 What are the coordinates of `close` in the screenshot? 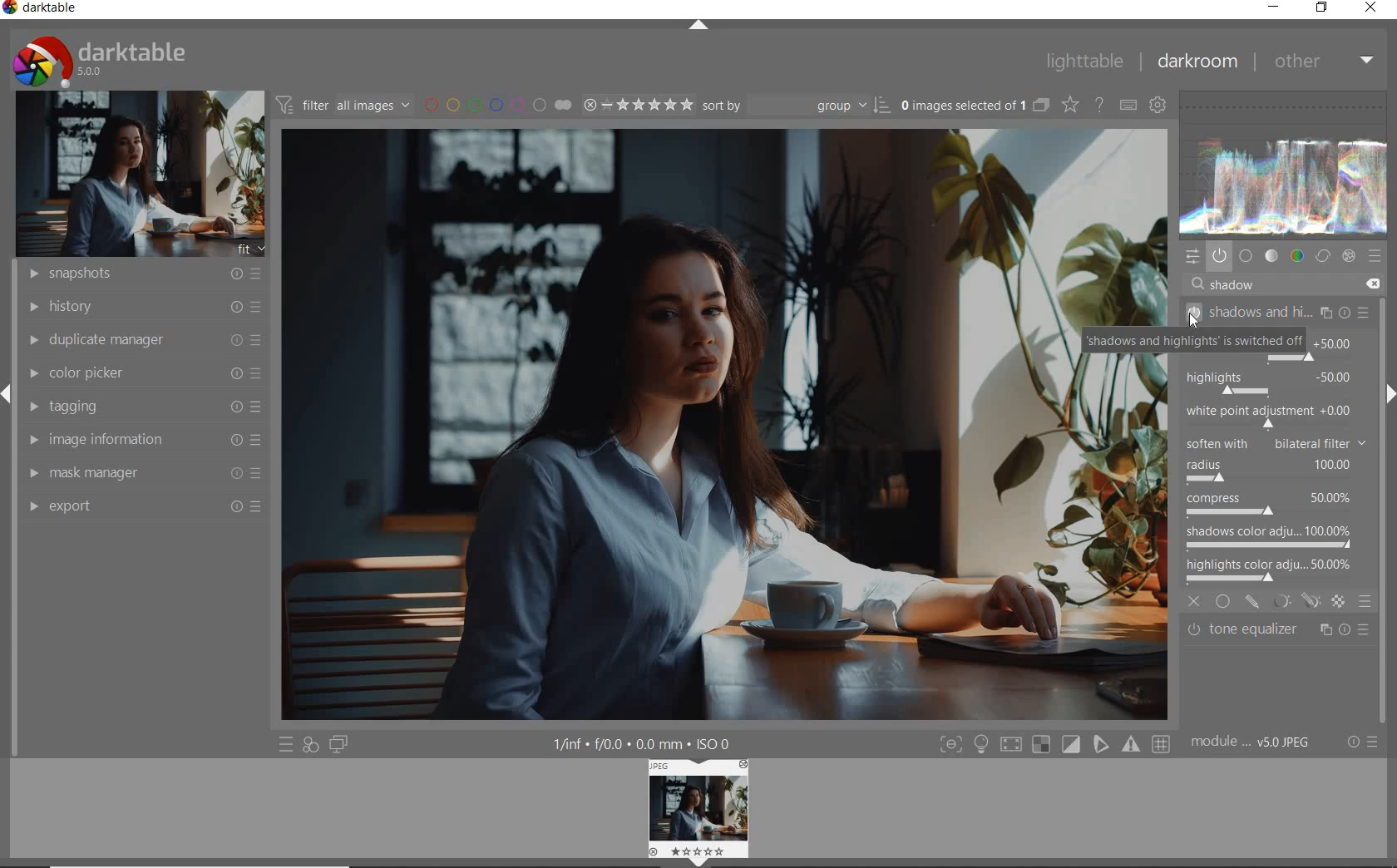 It's located at (1194, 599).